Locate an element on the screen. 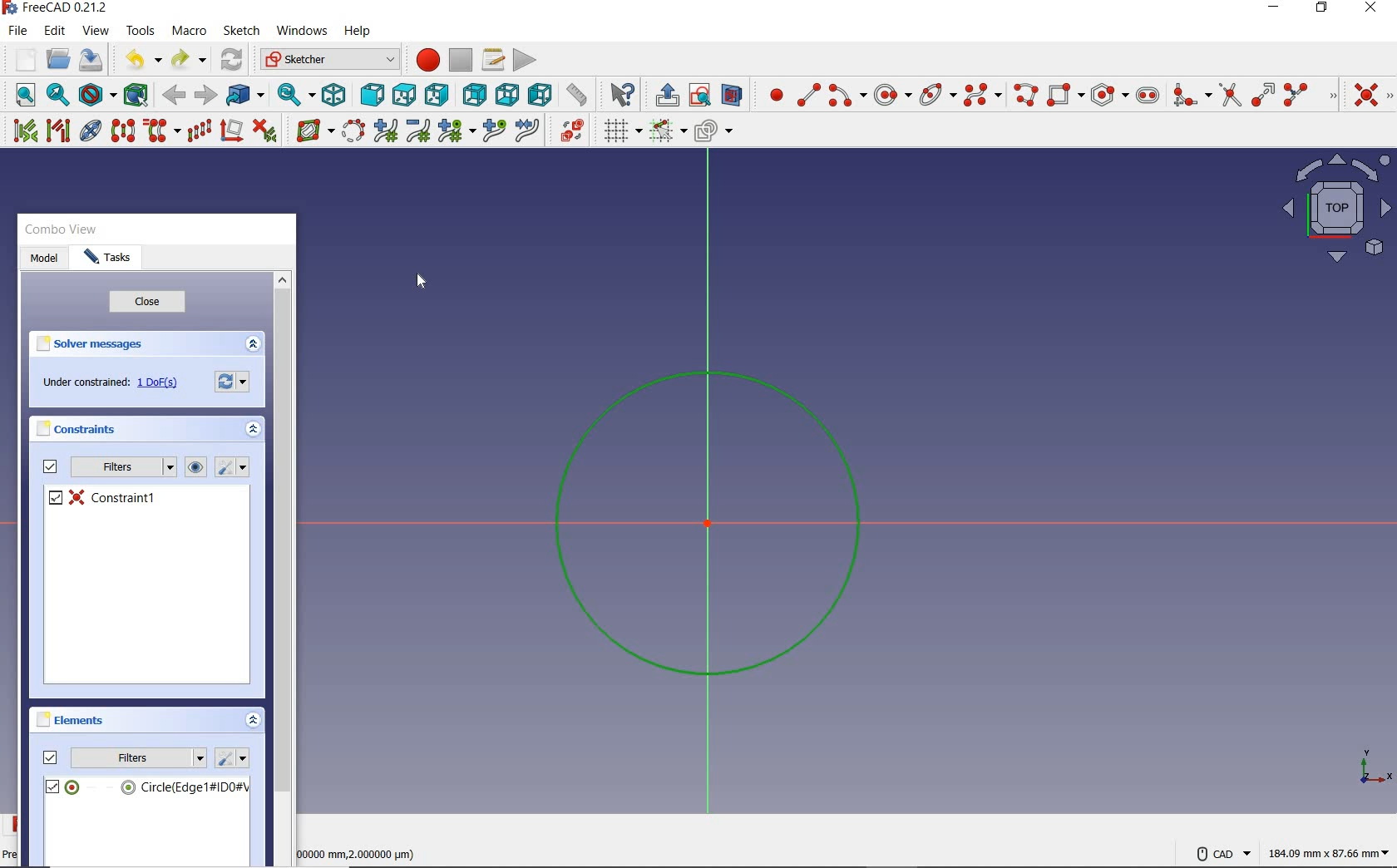  Tasks is located at coordinates (104, 258).